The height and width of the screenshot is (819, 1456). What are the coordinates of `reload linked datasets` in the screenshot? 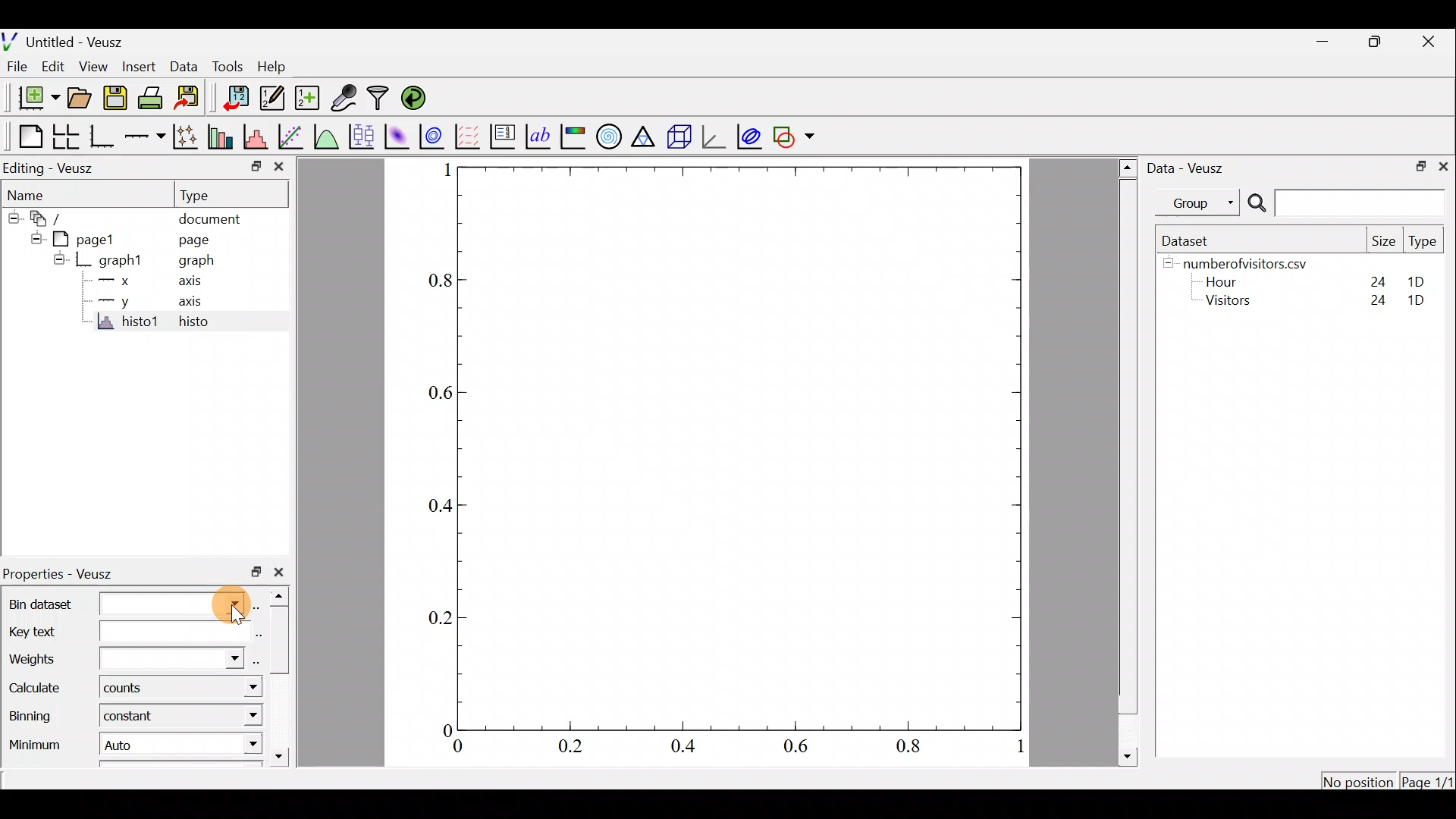 It's located at (419, 99).